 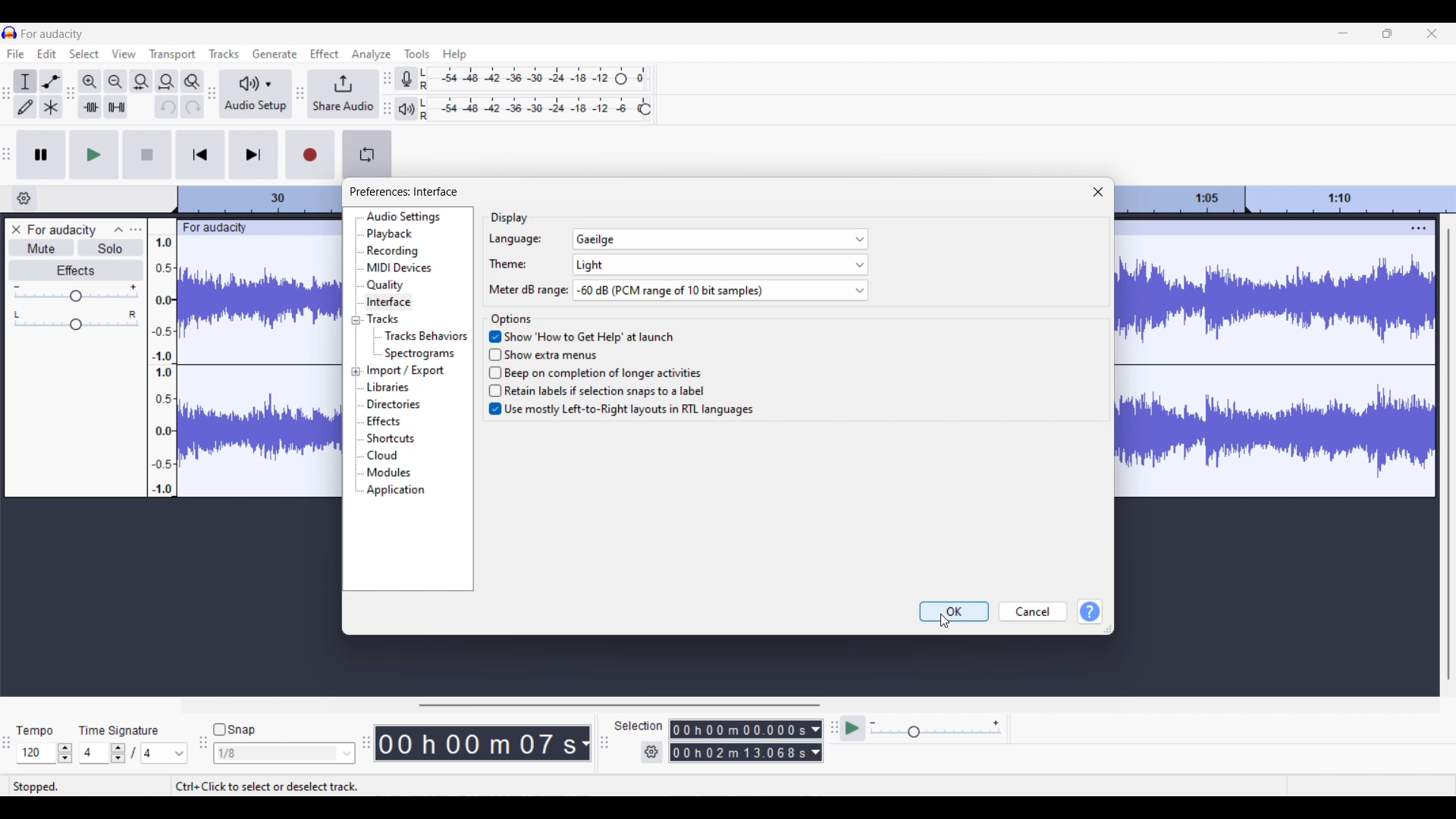 I want to click on Select menu, so click(x=83, y=54).